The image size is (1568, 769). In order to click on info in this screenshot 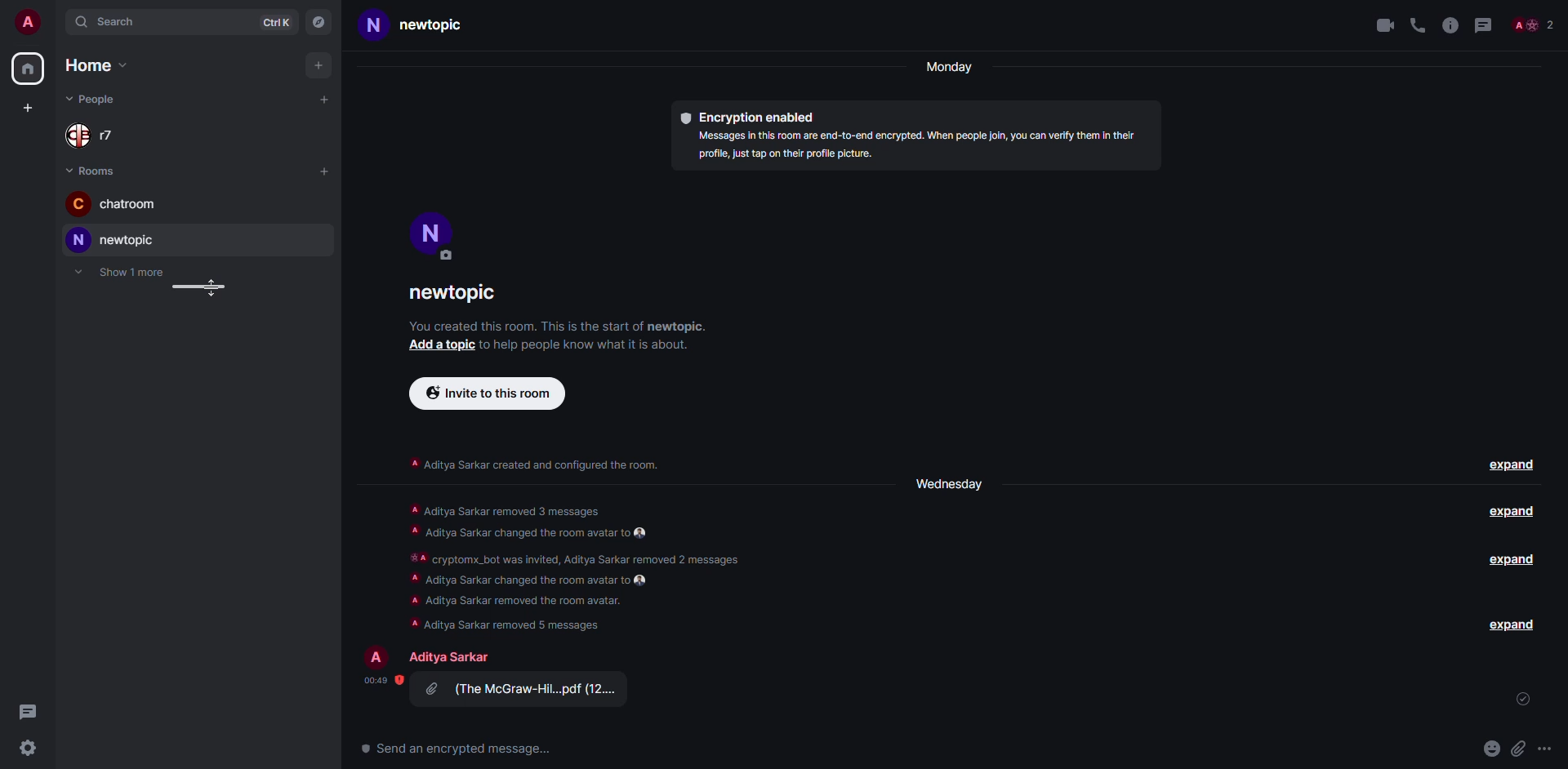, I will do `click(1450, 24)`.